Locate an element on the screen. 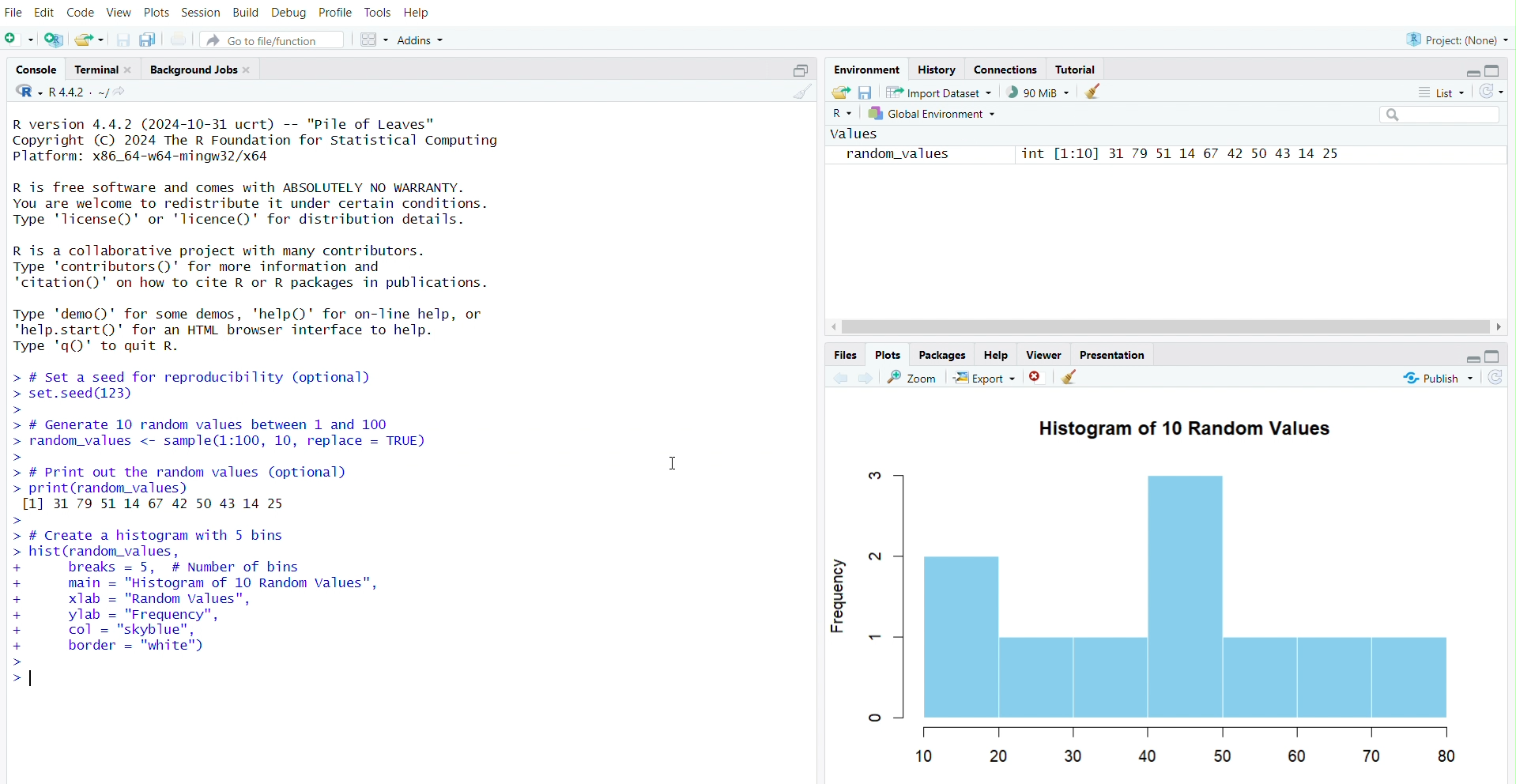  background jobs is located at coordinates (194, 70).